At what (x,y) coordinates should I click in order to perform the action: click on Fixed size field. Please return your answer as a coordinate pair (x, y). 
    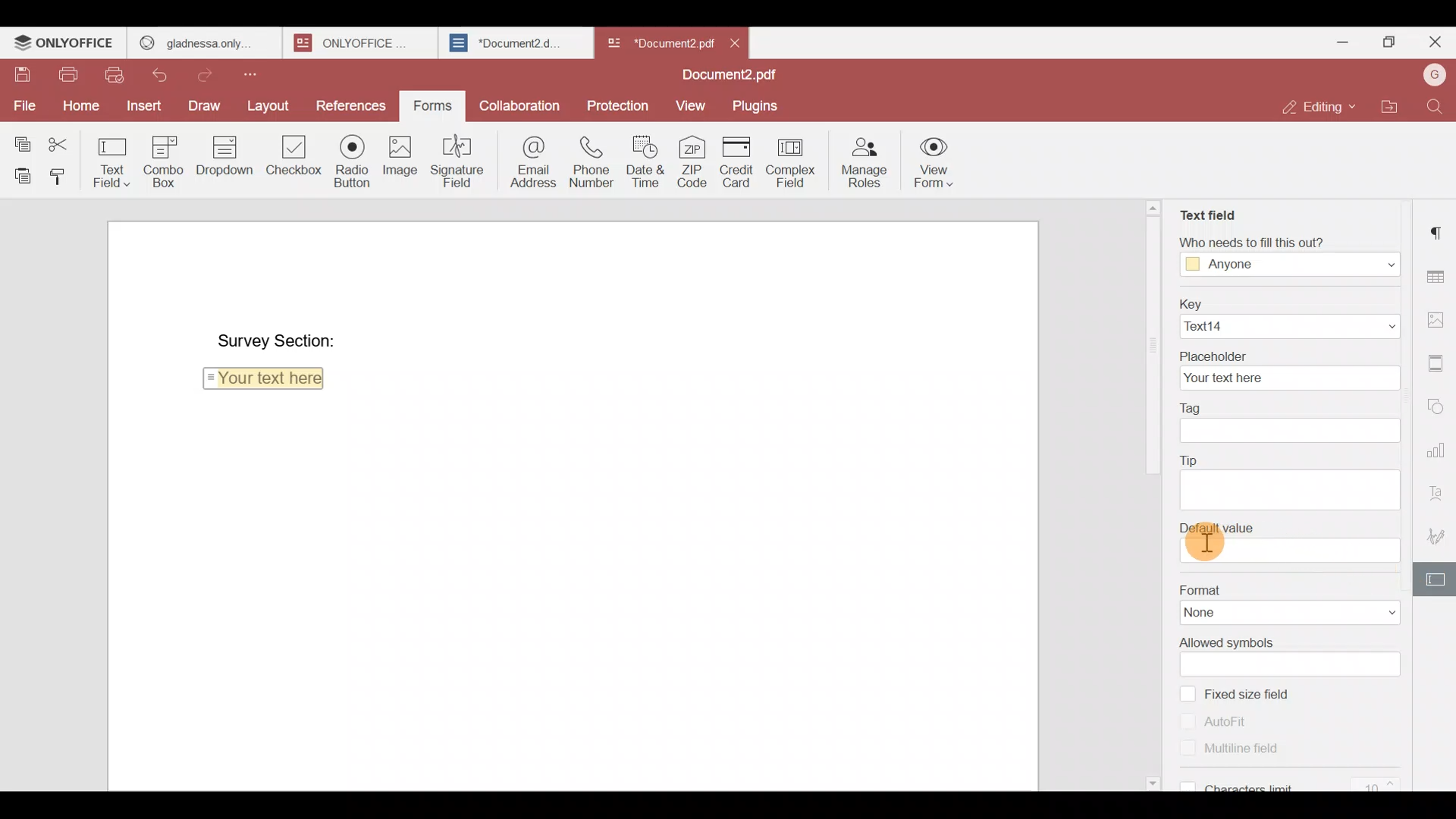
    Looking at the image, I should click on (1255, 695).